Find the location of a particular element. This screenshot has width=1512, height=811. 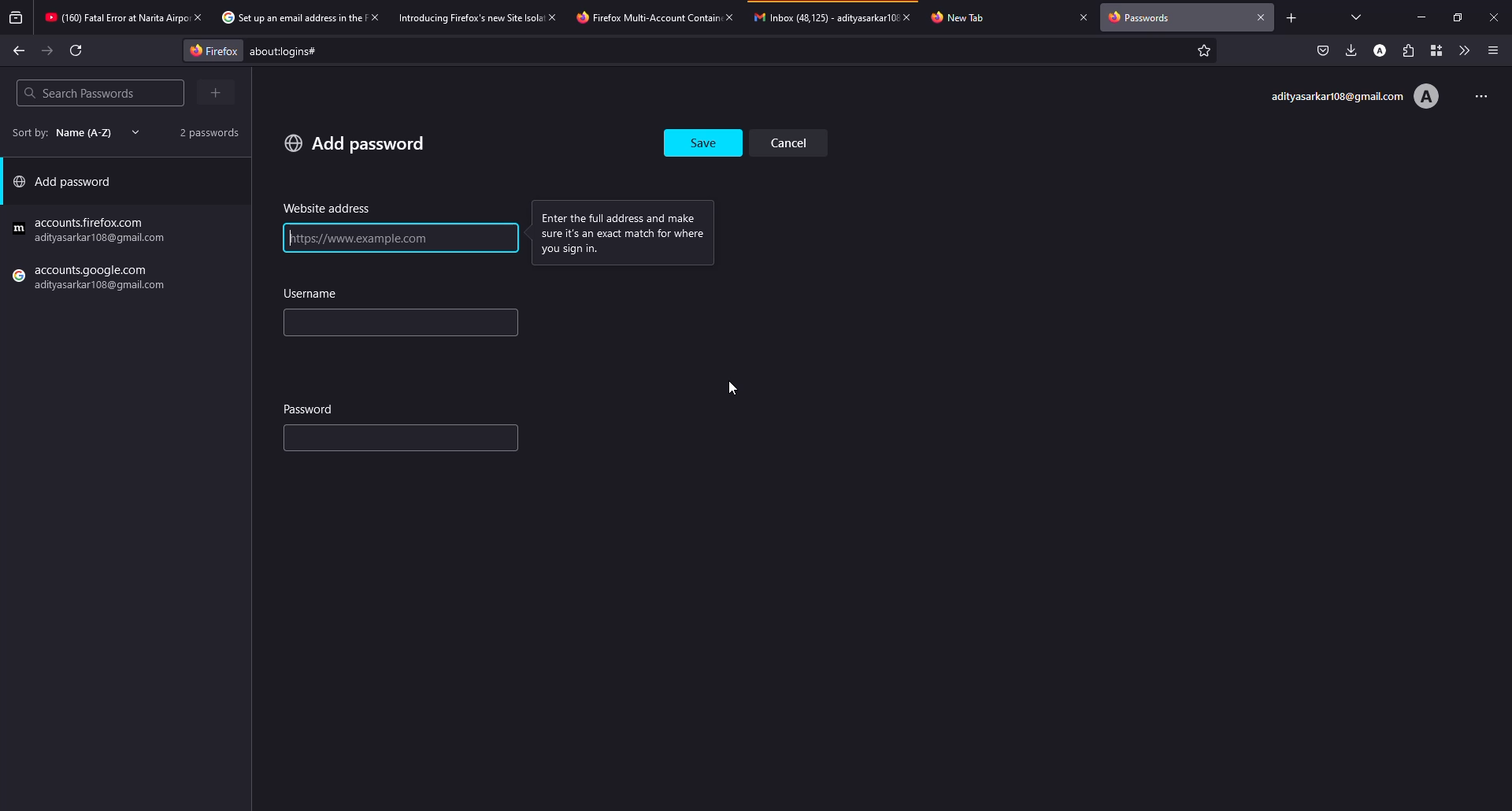

close is located at coordinates (1262, 16).